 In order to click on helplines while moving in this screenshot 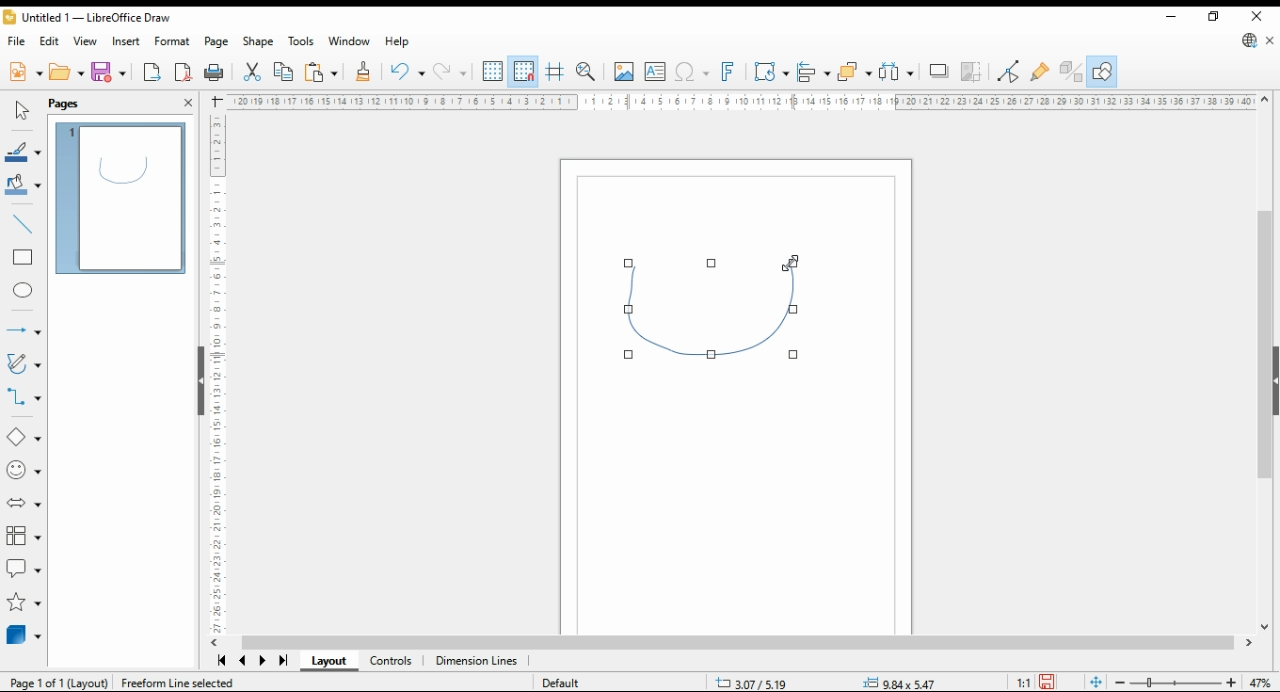, I will do `click(554, 72)`.